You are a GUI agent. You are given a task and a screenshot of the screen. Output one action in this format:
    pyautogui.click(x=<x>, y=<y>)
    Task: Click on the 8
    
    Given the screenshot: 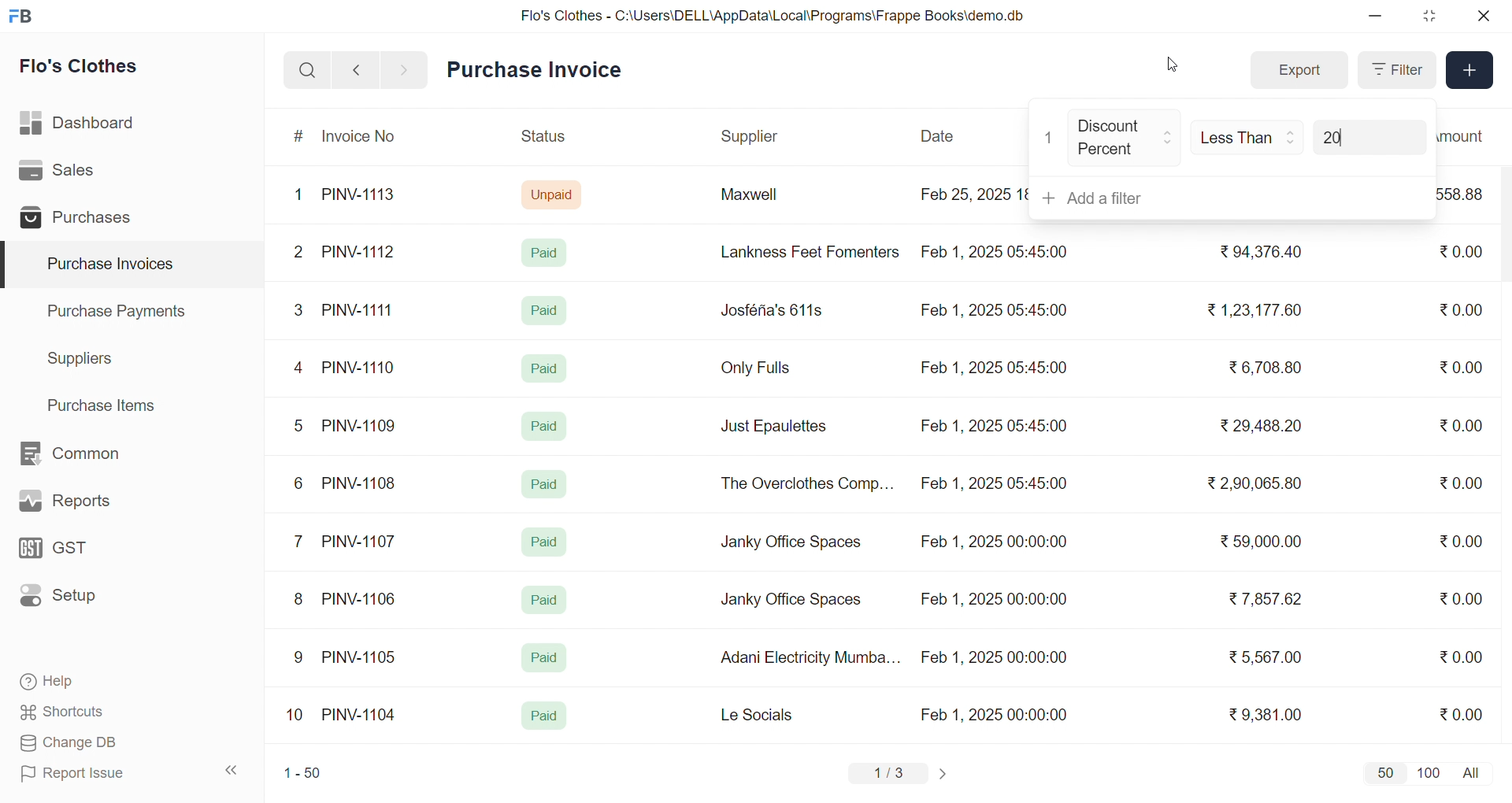 What is the action you would take?
    pyautogui.click(x=299, y=601)
    